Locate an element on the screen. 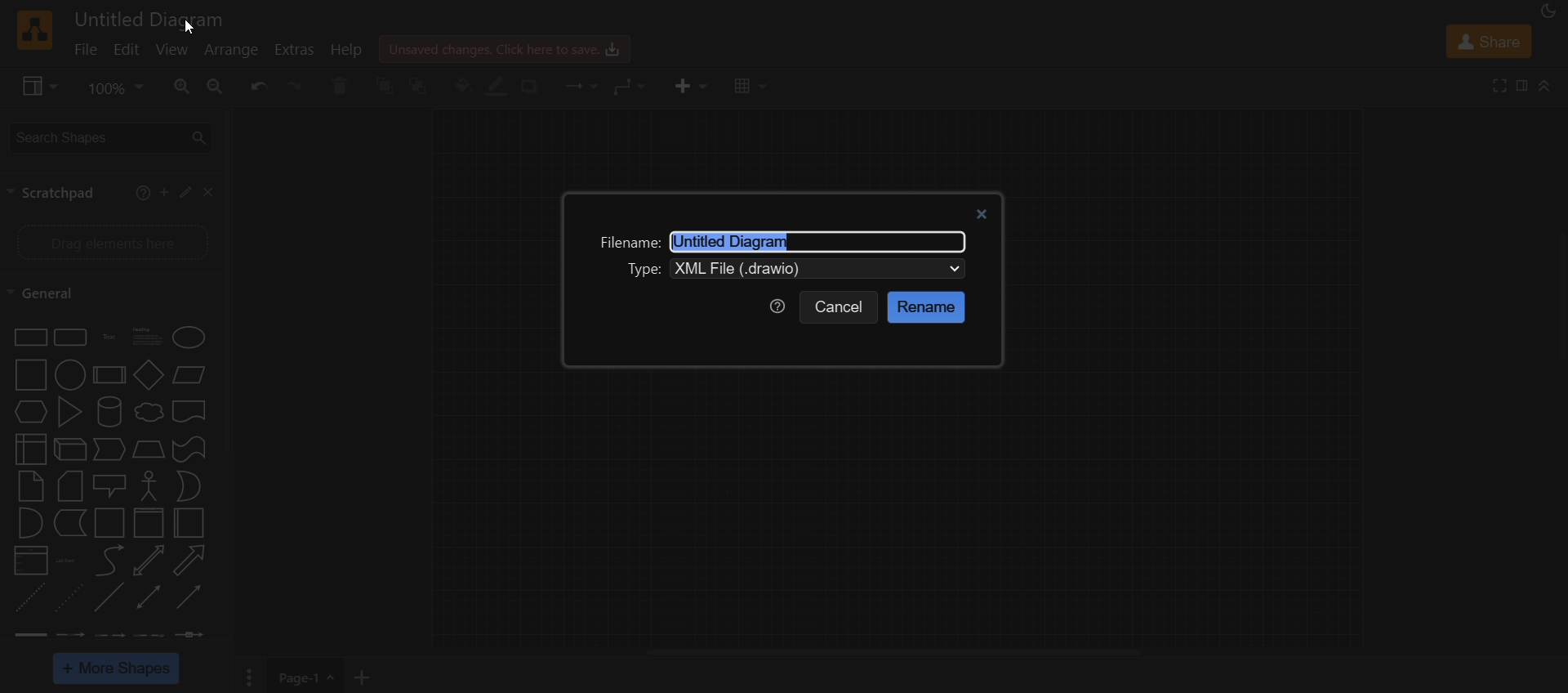 This screenshot has height=693, width=1568. close is located at coordinates (985, 212).